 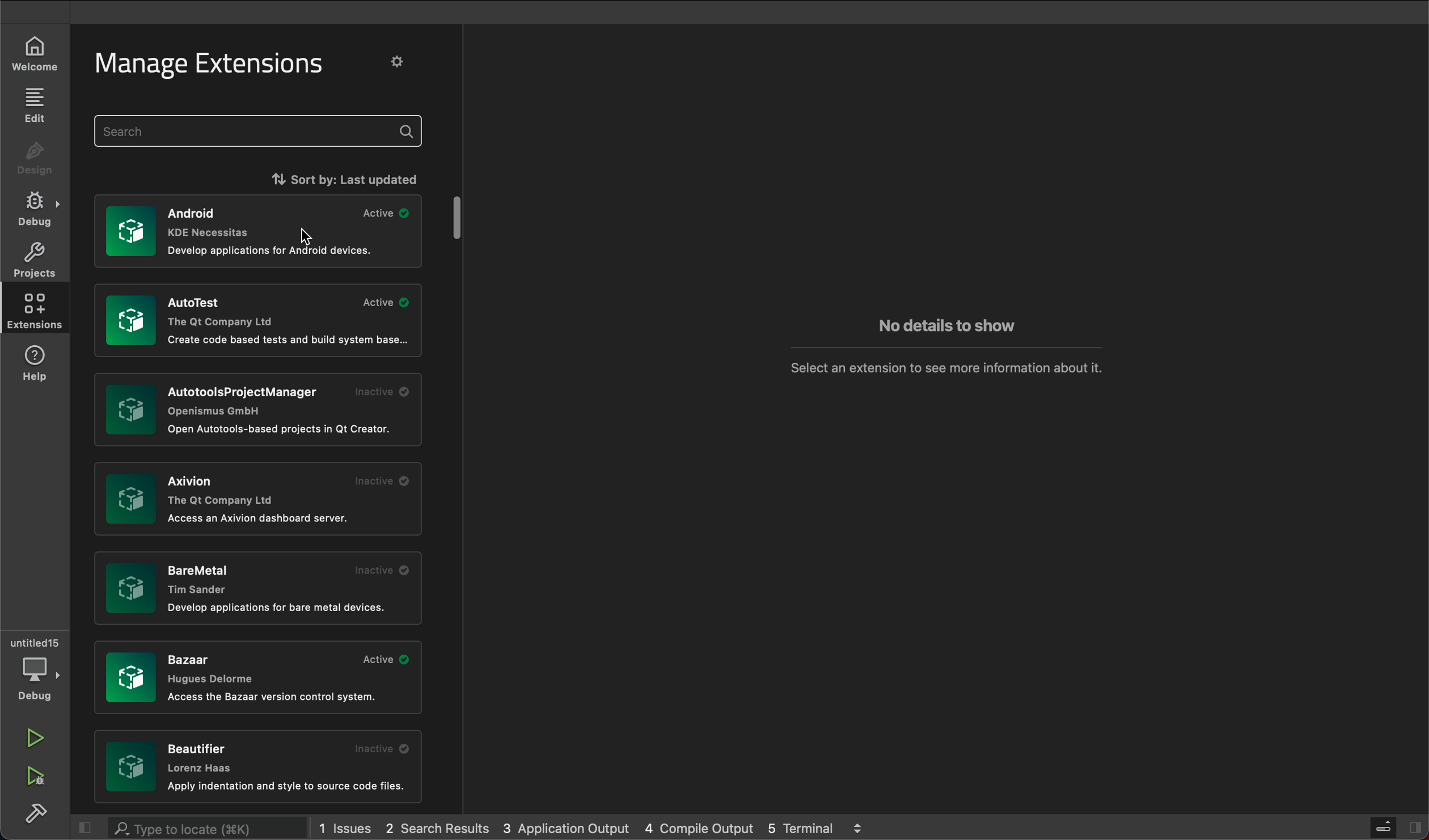 I want to click on welcome, so click(x=35, y=56).